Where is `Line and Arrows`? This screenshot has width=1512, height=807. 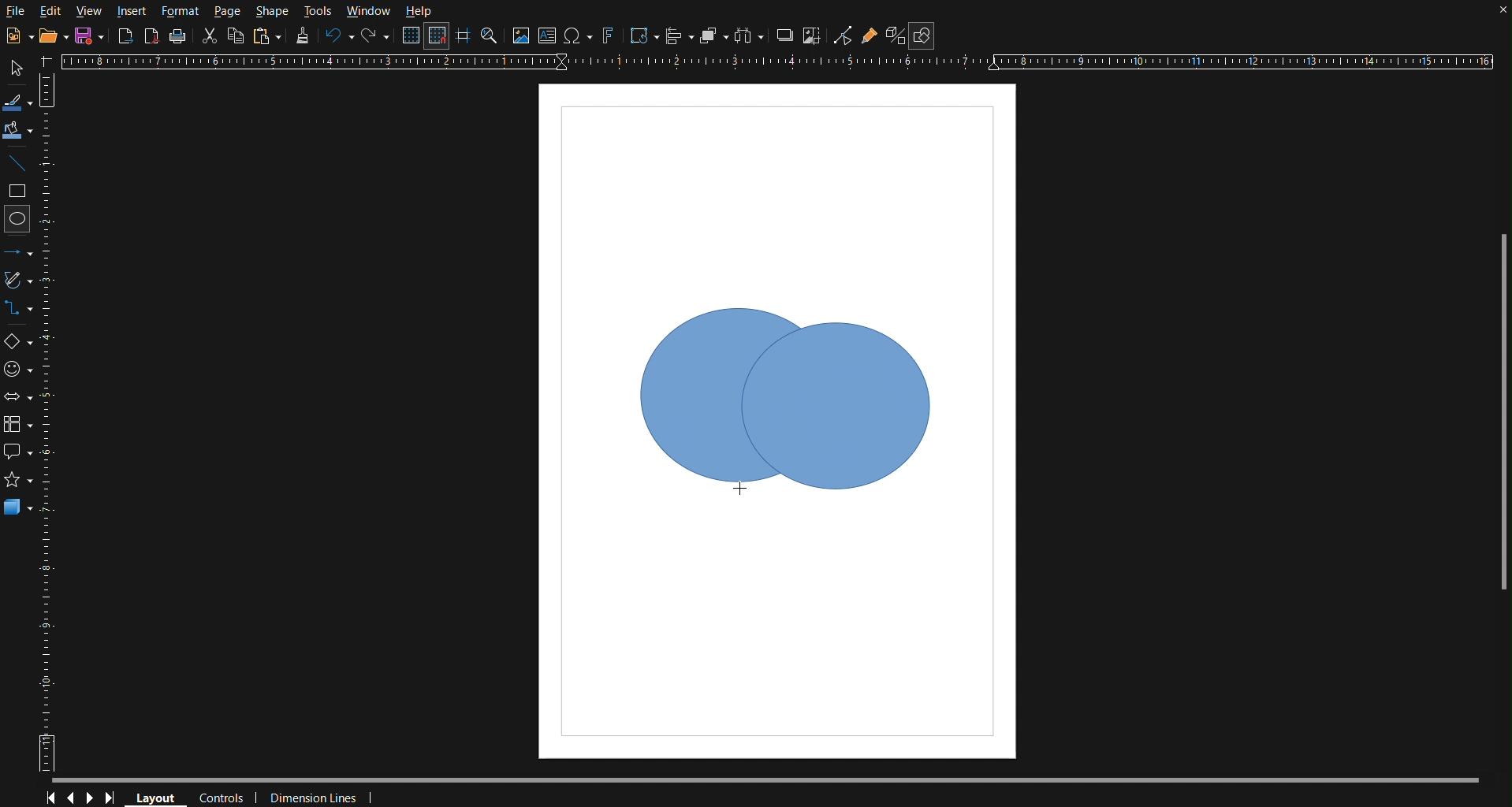 Line and Arrows is located at coordinates (18, 252).